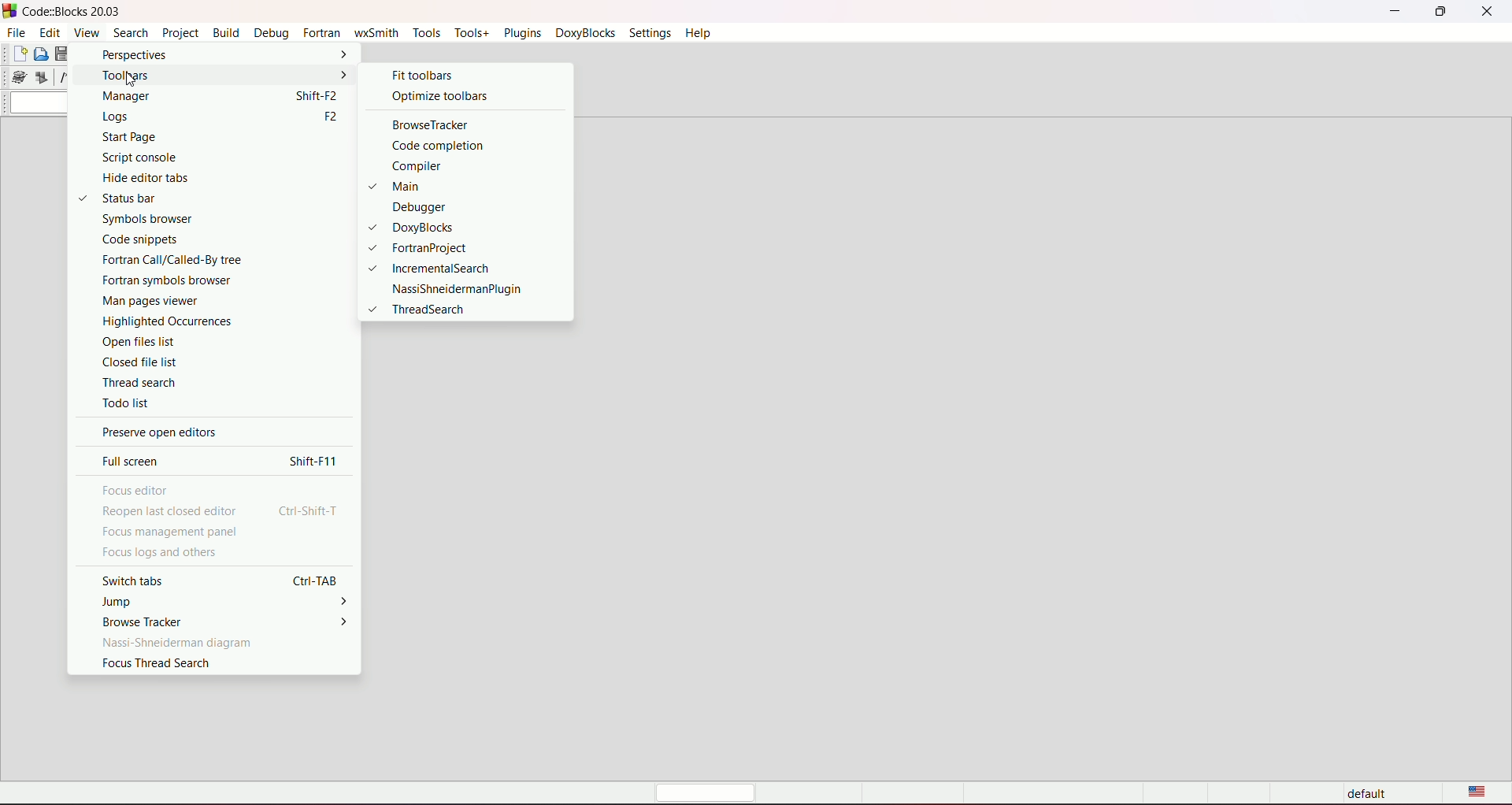 Image resolution: width=1512 pixels, height=805 pixels. Describe the element at coordinates (17, 32) in the screenshot. I see `file` at that location.